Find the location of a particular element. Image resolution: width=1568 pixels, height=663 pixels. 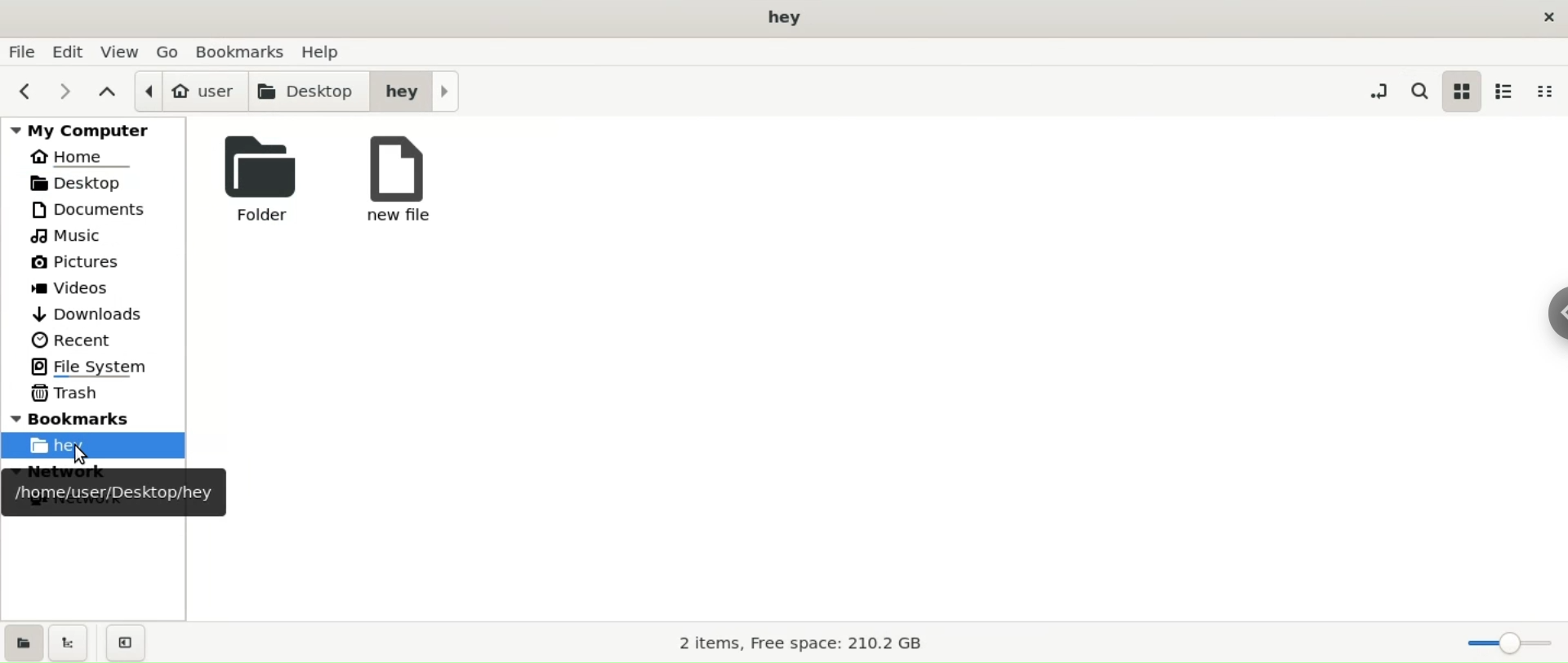

trash is located at coordinates (69, 393).